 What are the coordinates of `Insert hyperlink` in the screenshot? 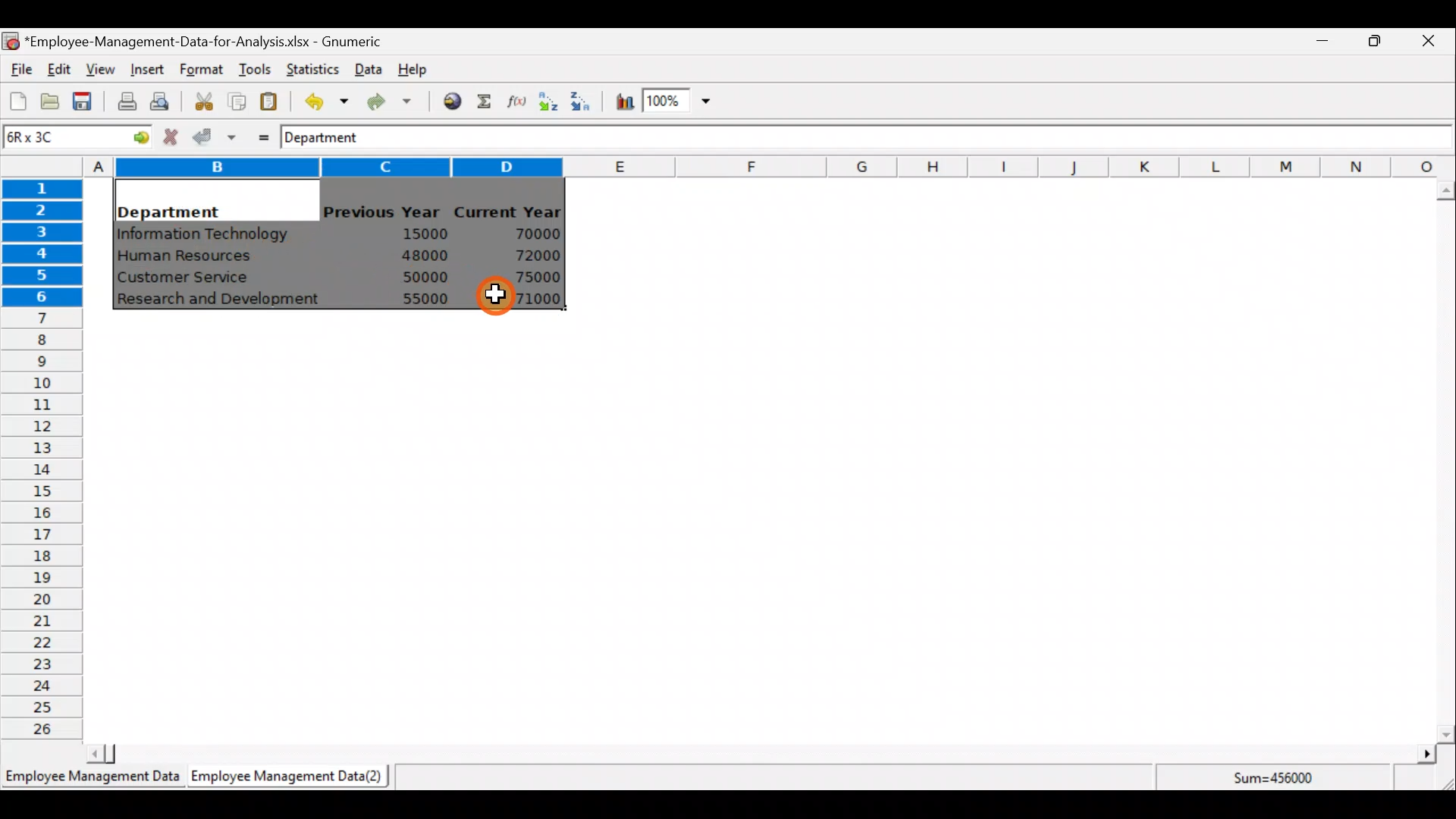 It's located at (447, 100).